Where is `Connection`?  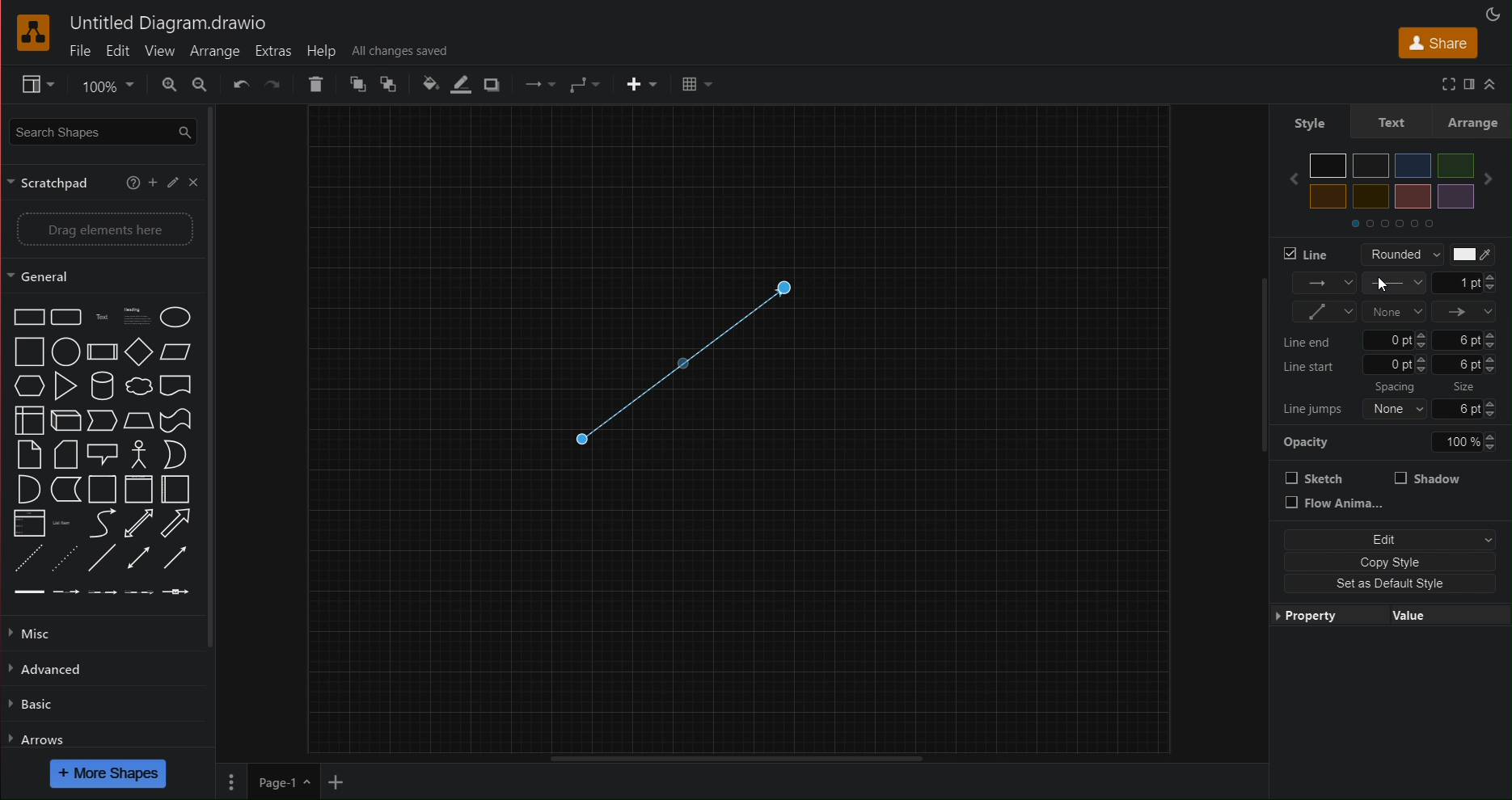 Connection is located at coordinates (1324, 284).